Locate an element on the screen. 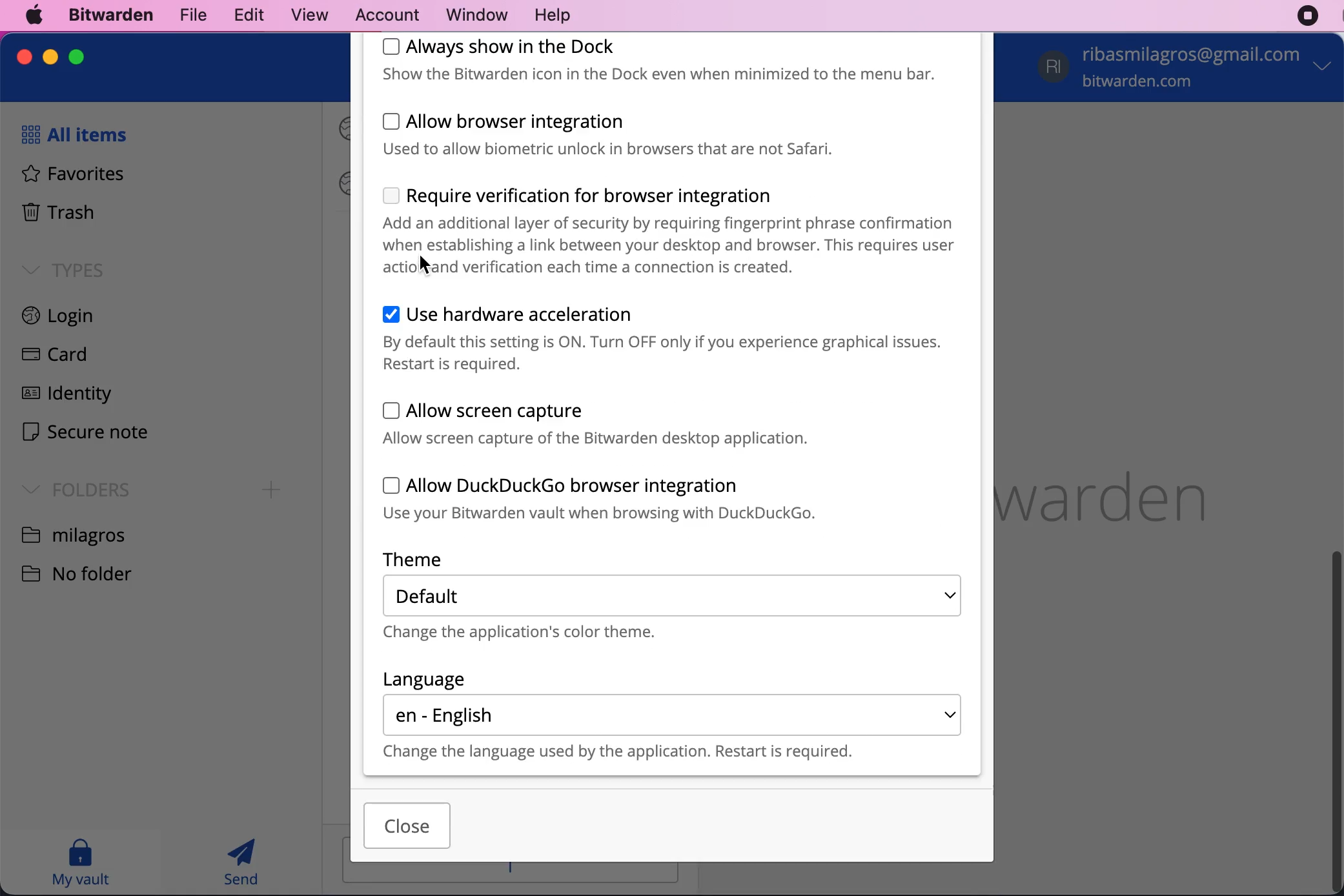 This screenshot has width=1344, height=896. close is located at coordinates (25, 57).